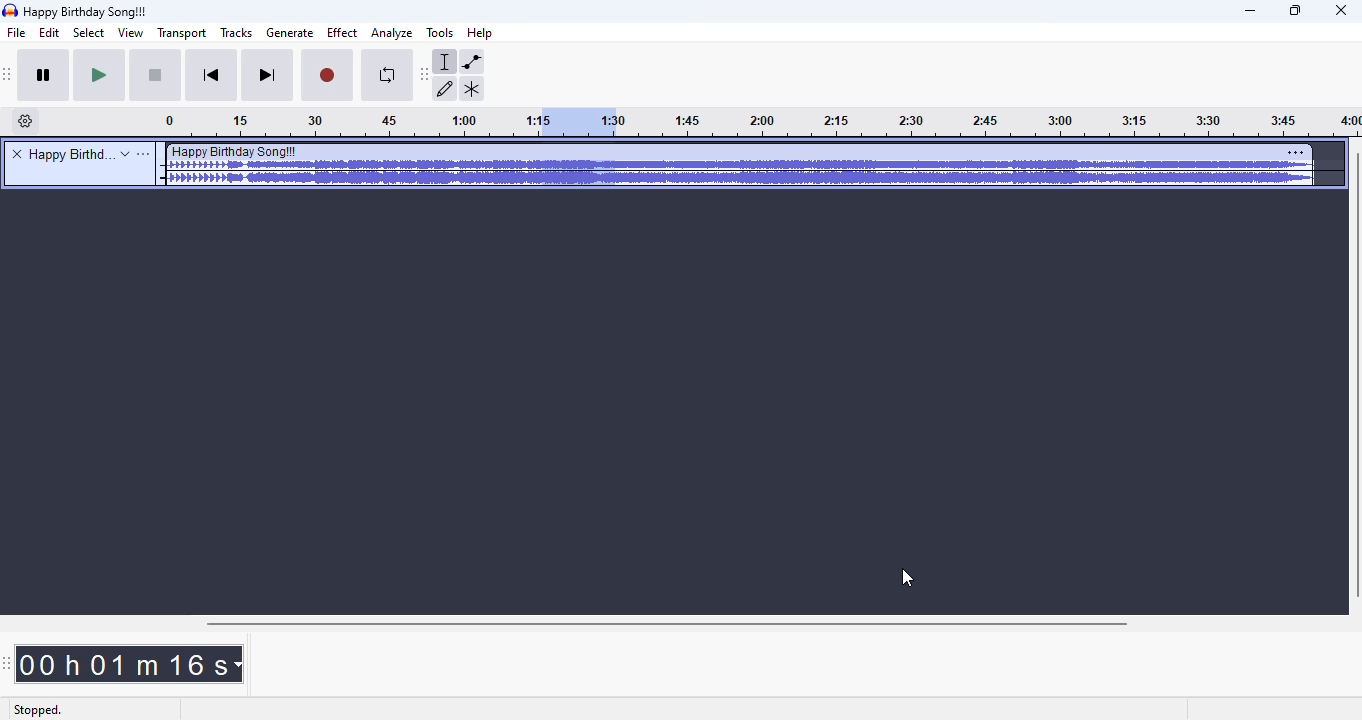  Describe the element at coordinates (26, 121) in the screenshot. I see `timeline options` at that location.